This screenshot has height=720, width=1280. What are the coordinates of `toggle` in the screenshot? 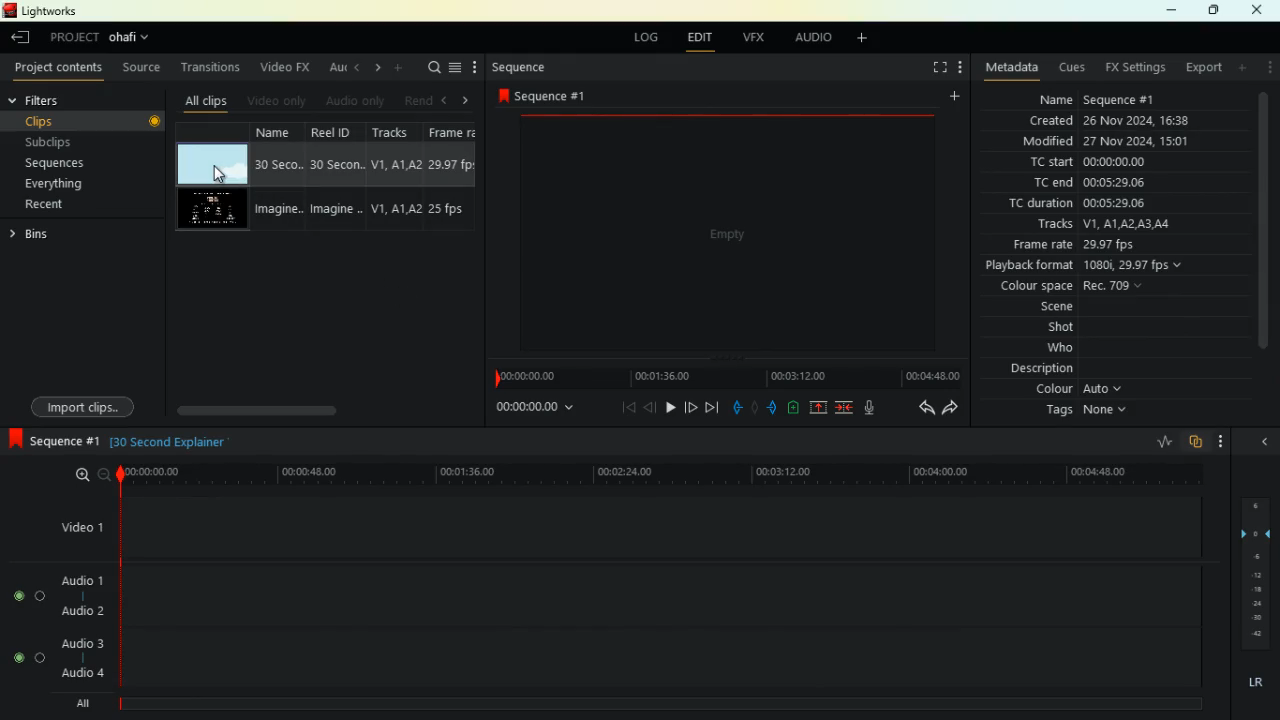 It's located at (17, 656).